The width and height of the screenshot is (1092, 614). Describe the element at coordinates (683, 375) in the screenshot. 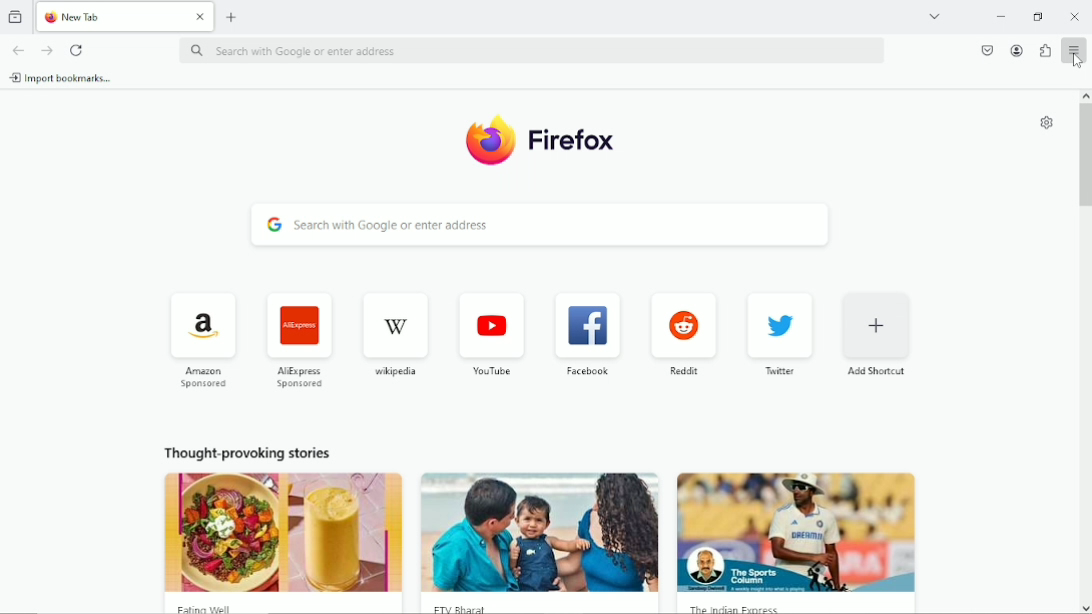

I see `reddit` at that location.